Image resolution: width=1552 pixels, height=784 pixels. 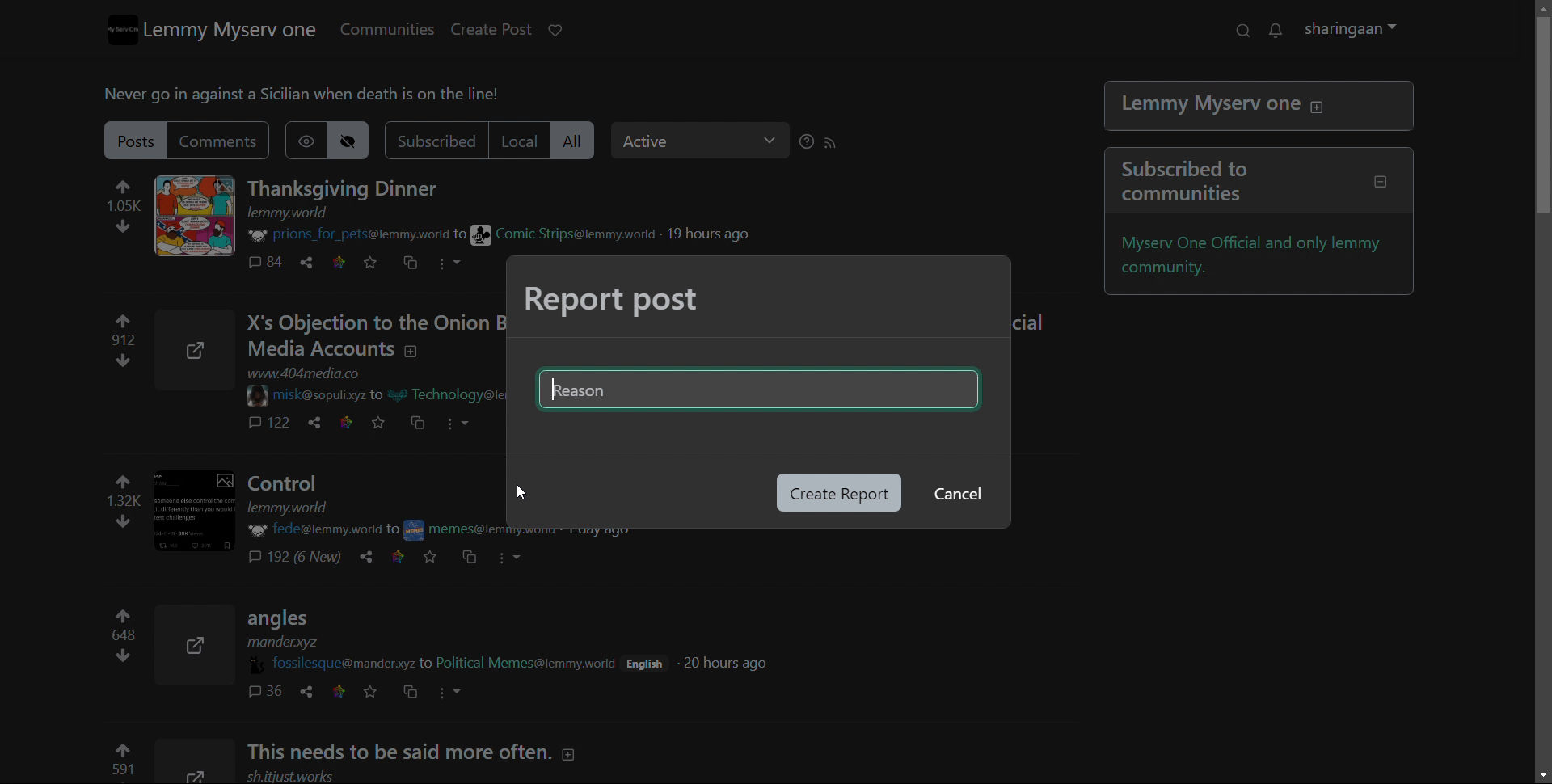 I want to click on Post on "This needs to be said more often.", so click(x=433, y=752).